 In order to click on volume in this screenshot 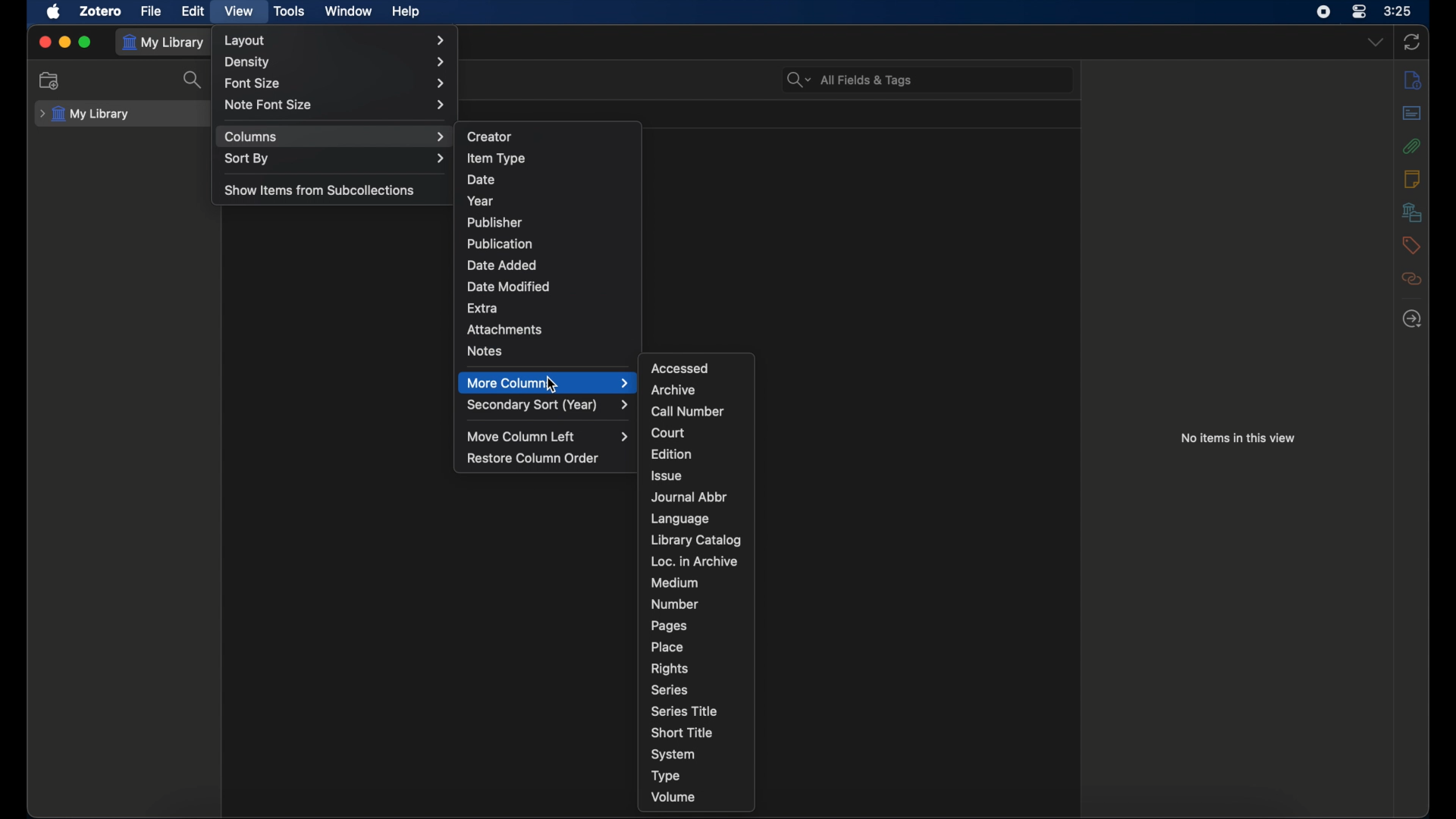, I will do `click(673, 796)`.